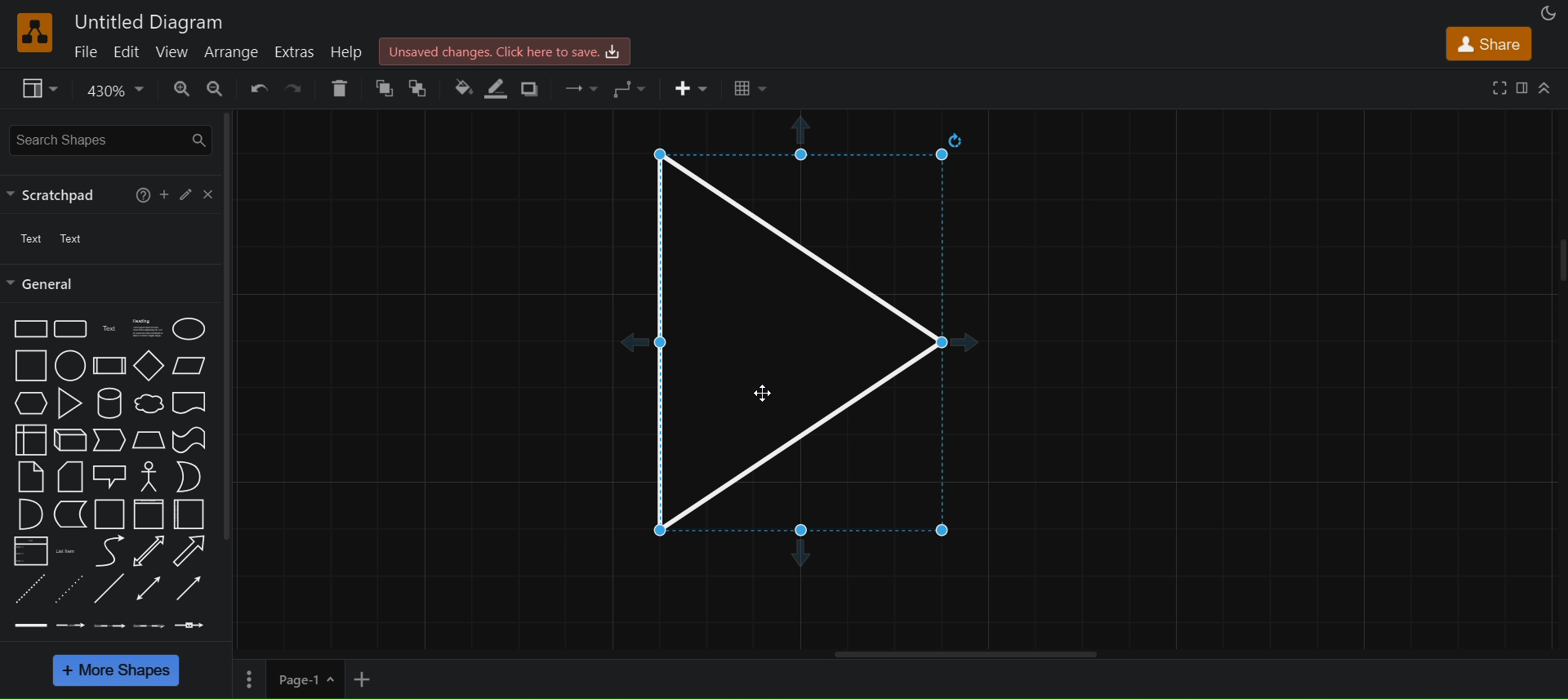  I want to click on Table, so click(751, 89).